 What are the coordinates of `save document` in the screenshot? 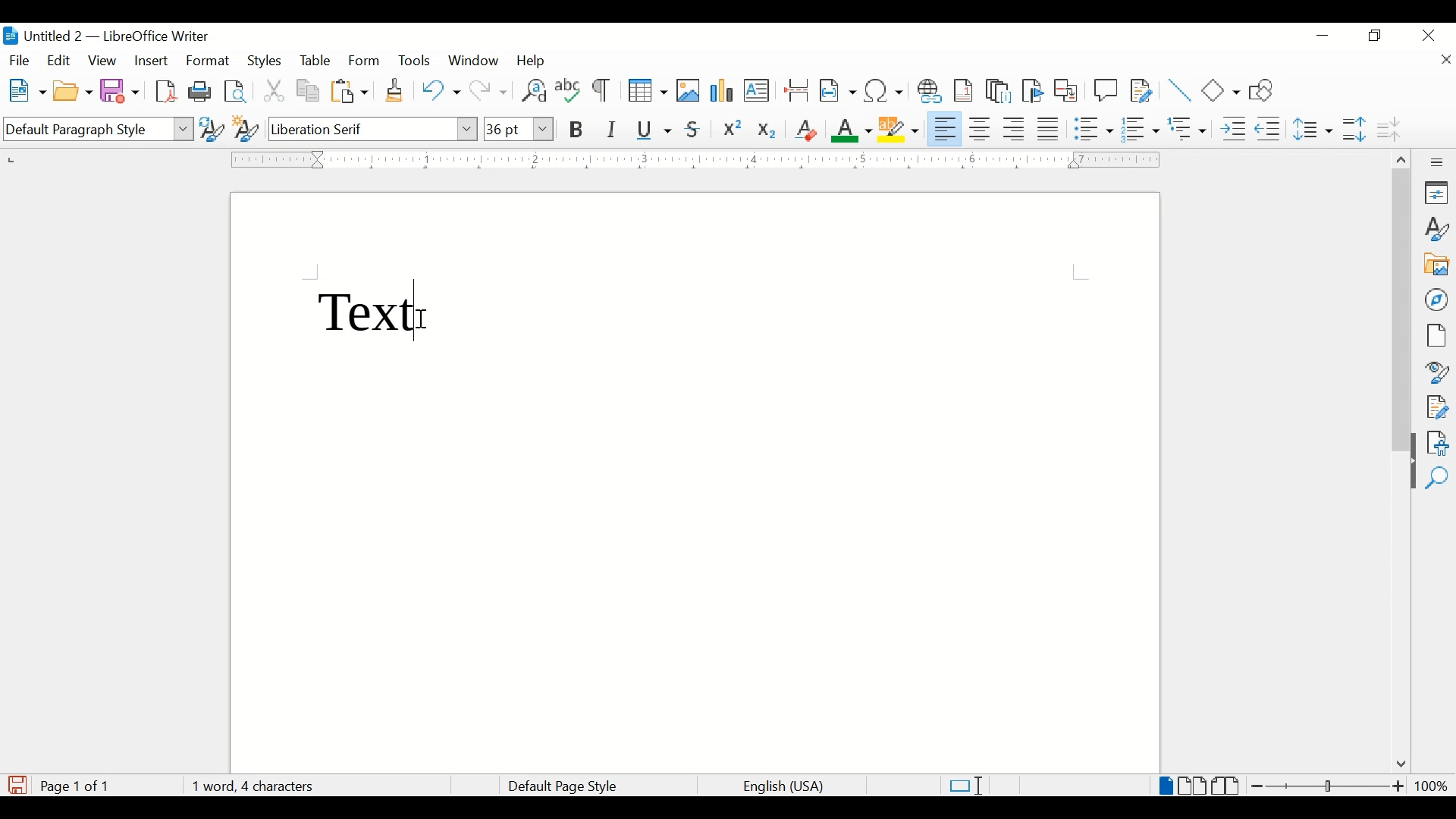 It's located at (17, 785).